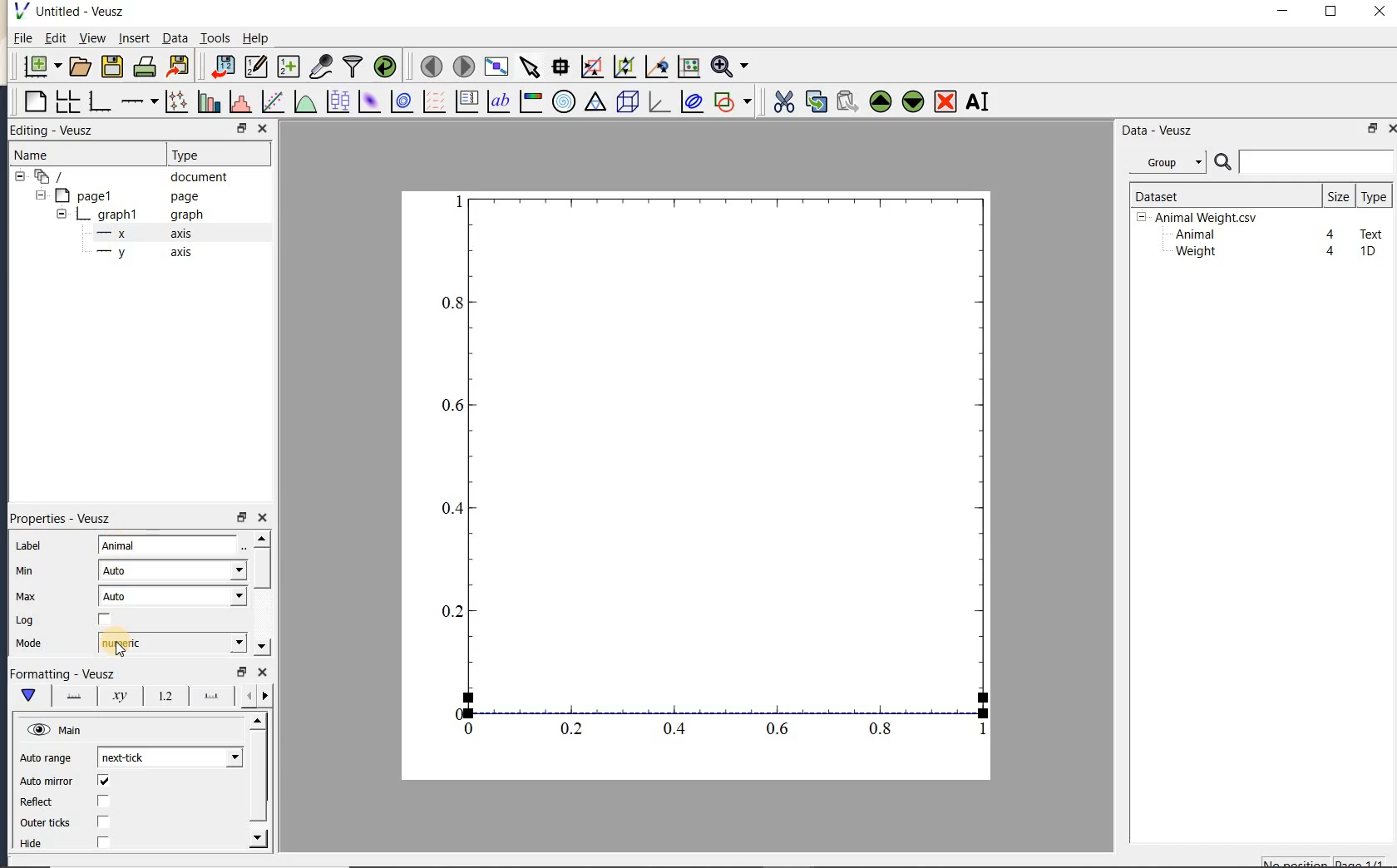 The image size is (1397, 868). Describe the element at coordinates (944, 103) in the screenshot. I see `remove the selected widget` at that location.